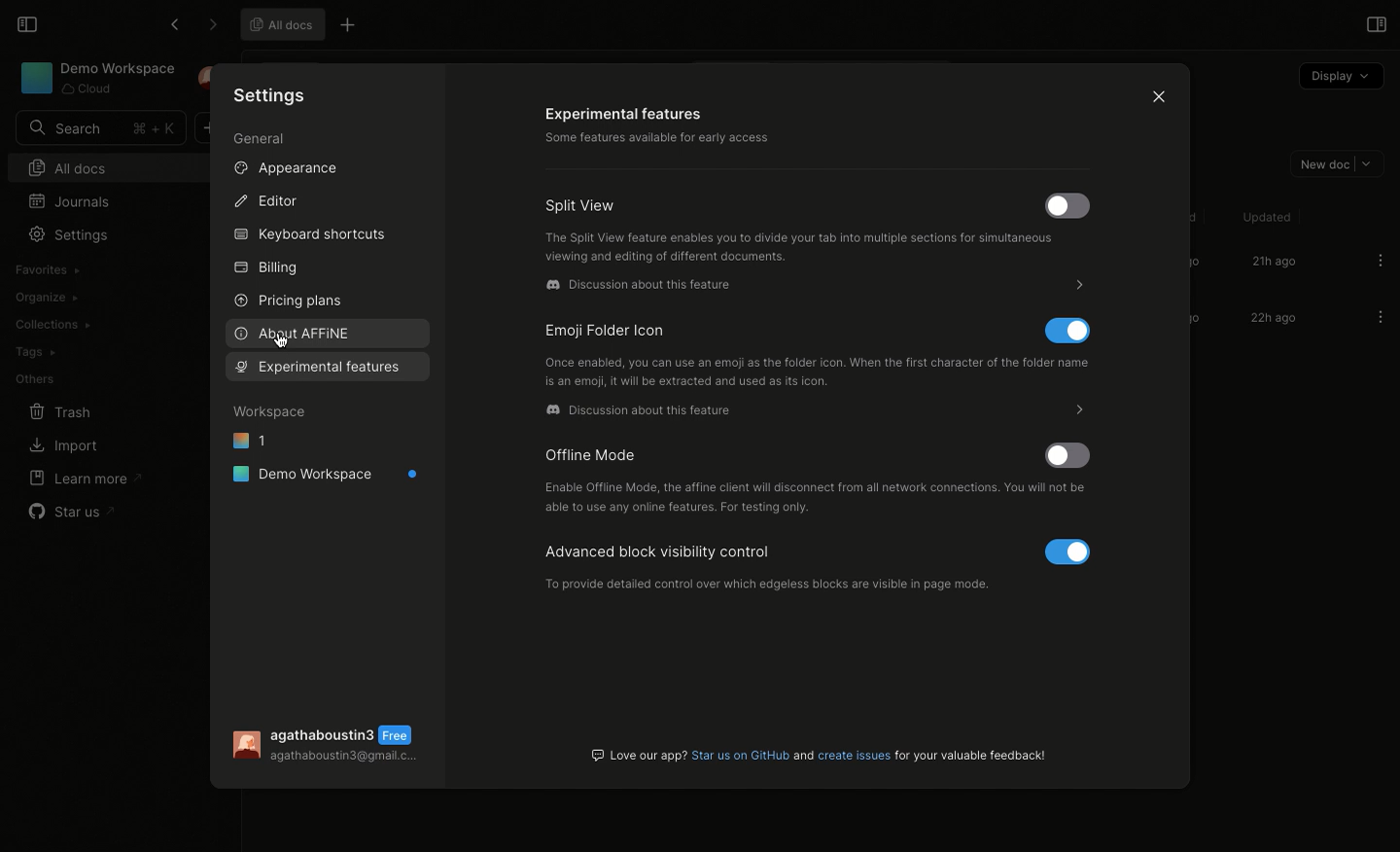 The width and height of the screenshot is (1400, 852). I want to click on Keyboard shortcuts, so click(311, 236).